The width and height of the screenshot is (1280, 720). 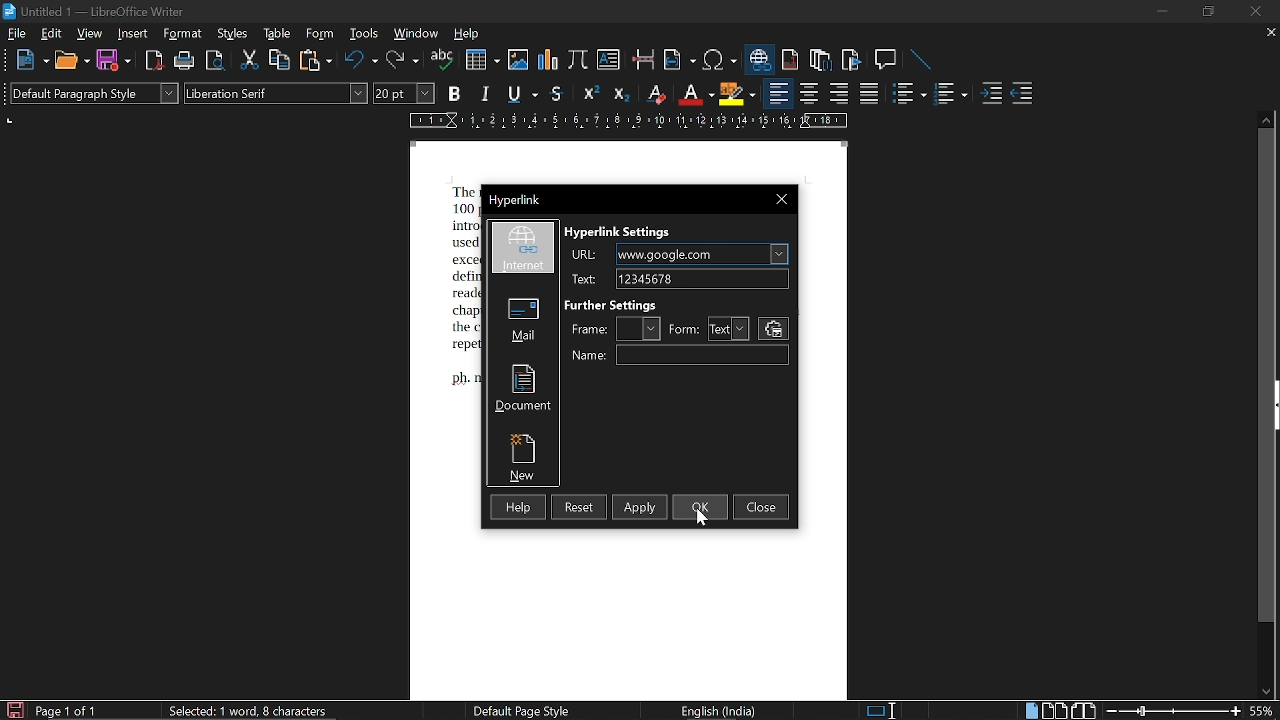 What do you see at coordinates (610, 59) in the screenshot?
I see `insert text` at bounding box center [610, 59].